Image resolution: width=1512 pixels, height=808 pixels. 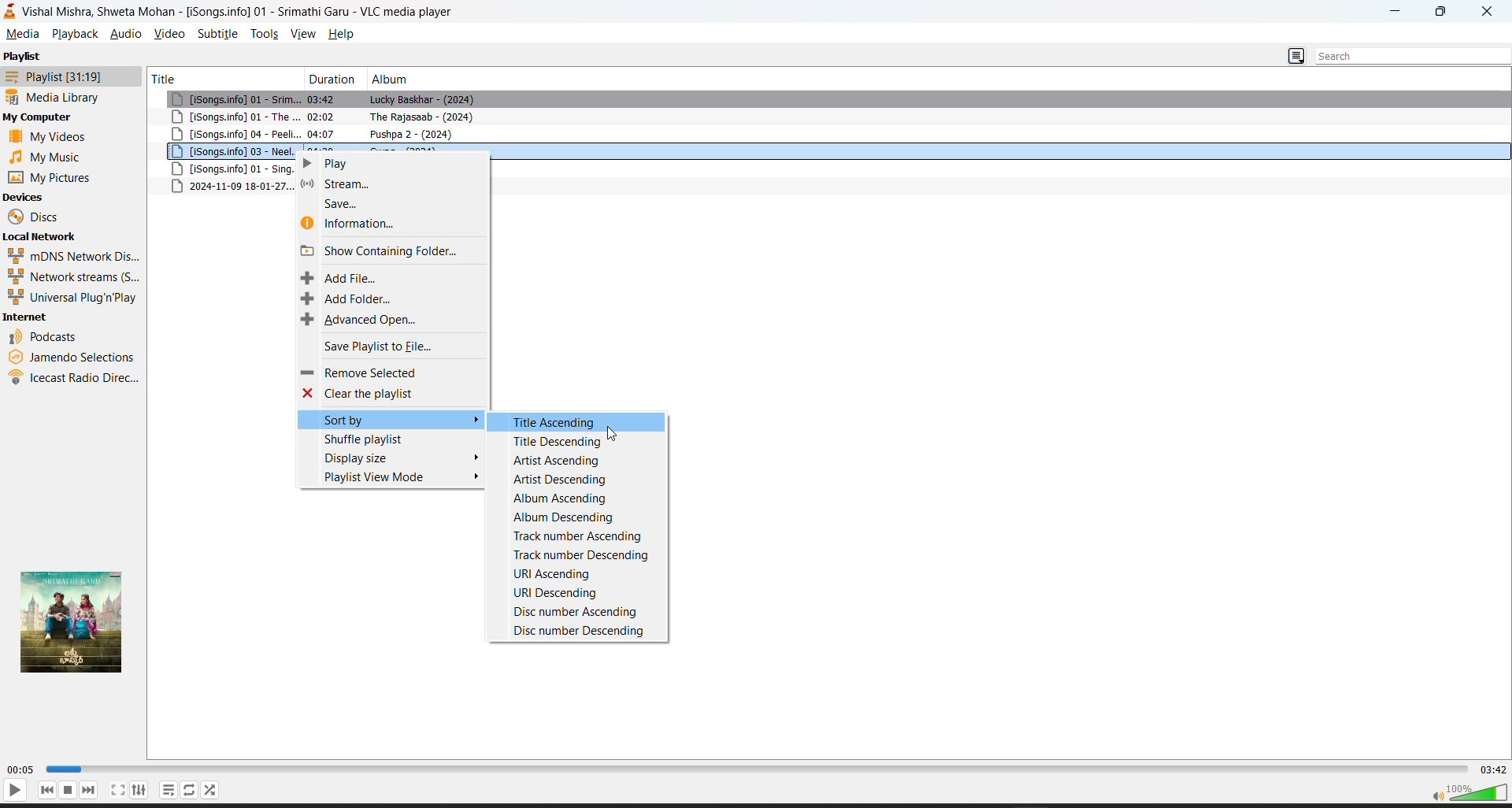 I want to click on total track time, so click(x=1492, y=769).